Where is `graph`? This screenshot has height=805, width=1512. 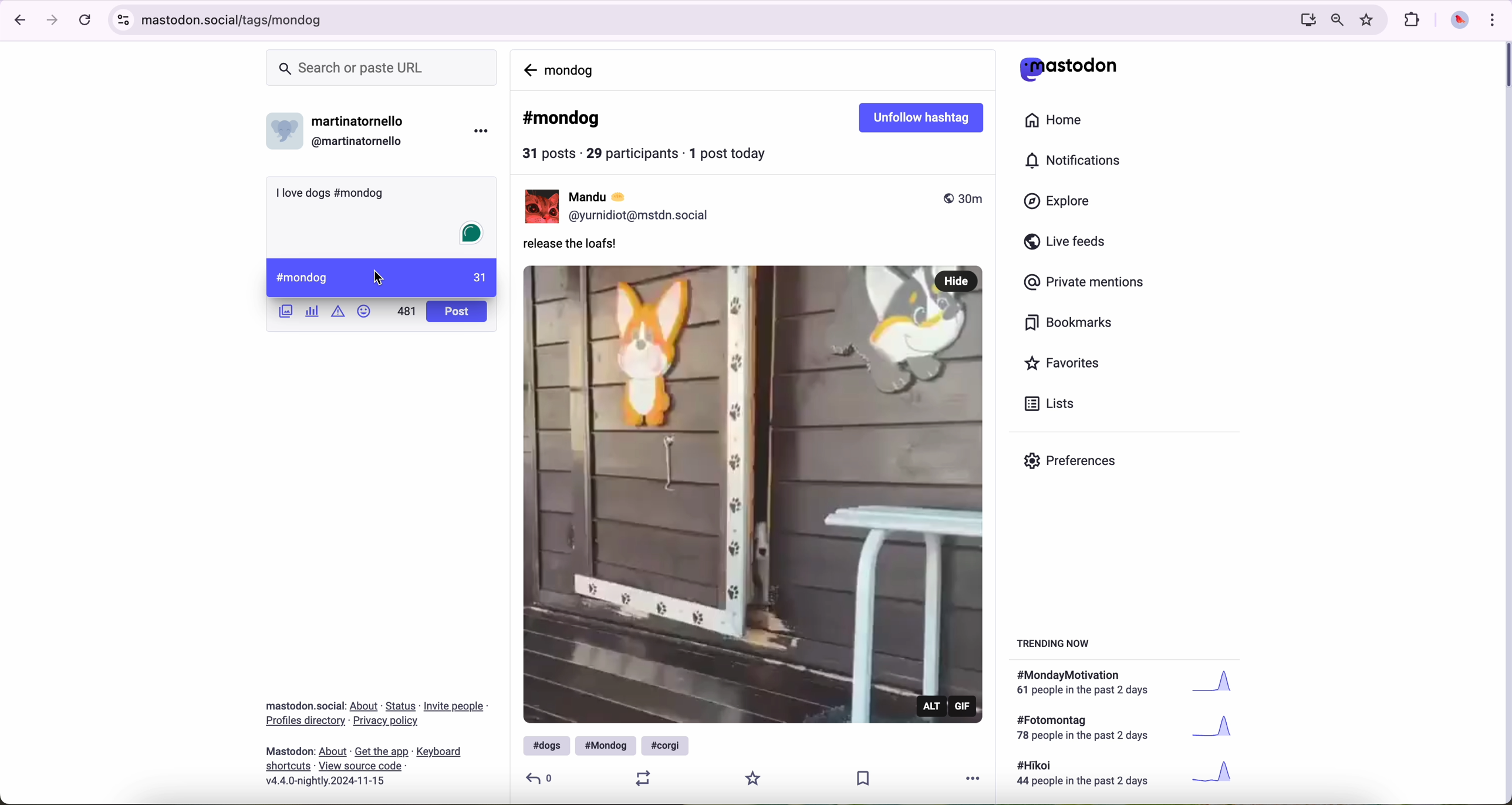 graph is located at coordinates (1221, 685).